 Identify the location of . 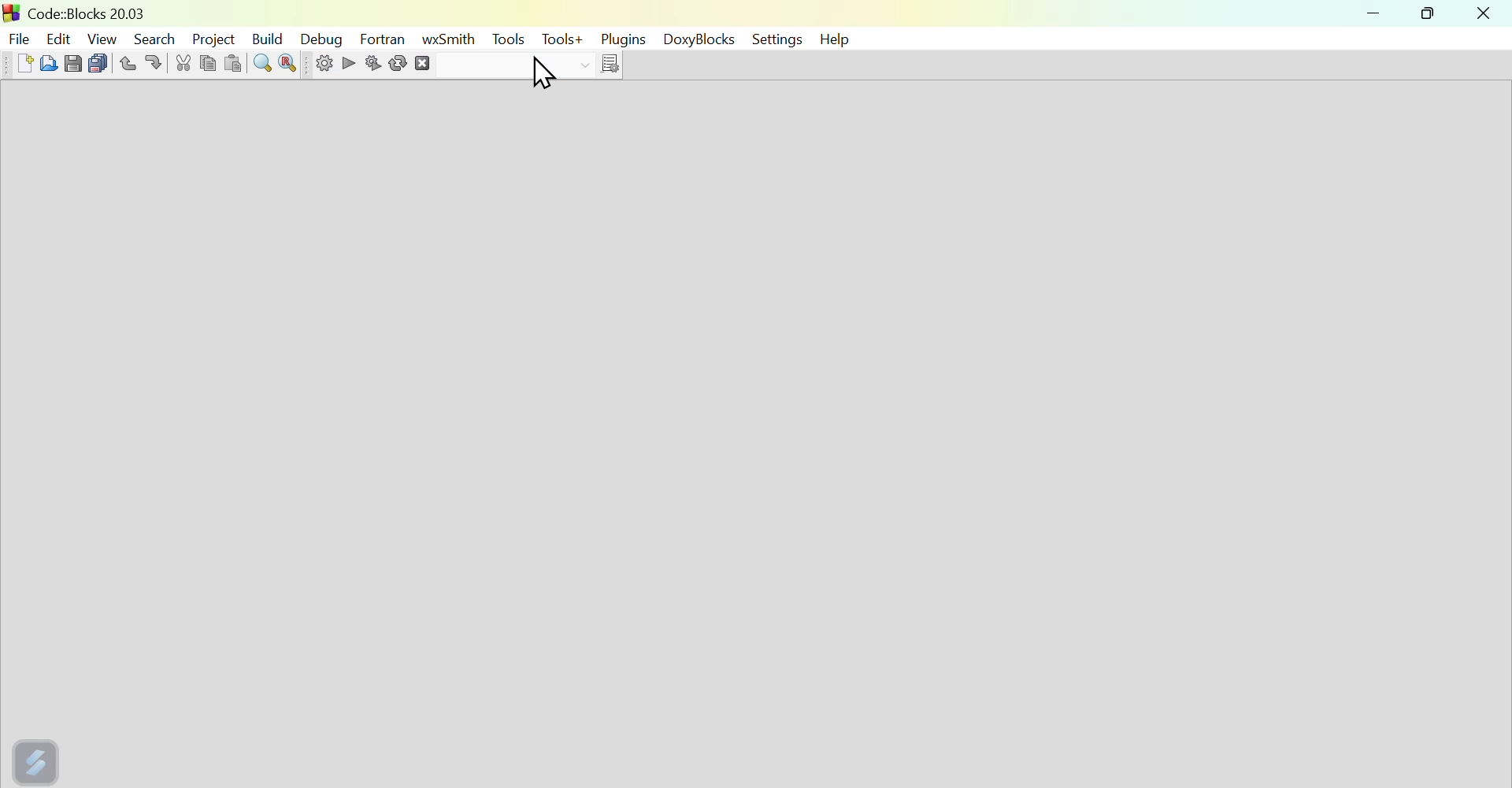
(264, 64).